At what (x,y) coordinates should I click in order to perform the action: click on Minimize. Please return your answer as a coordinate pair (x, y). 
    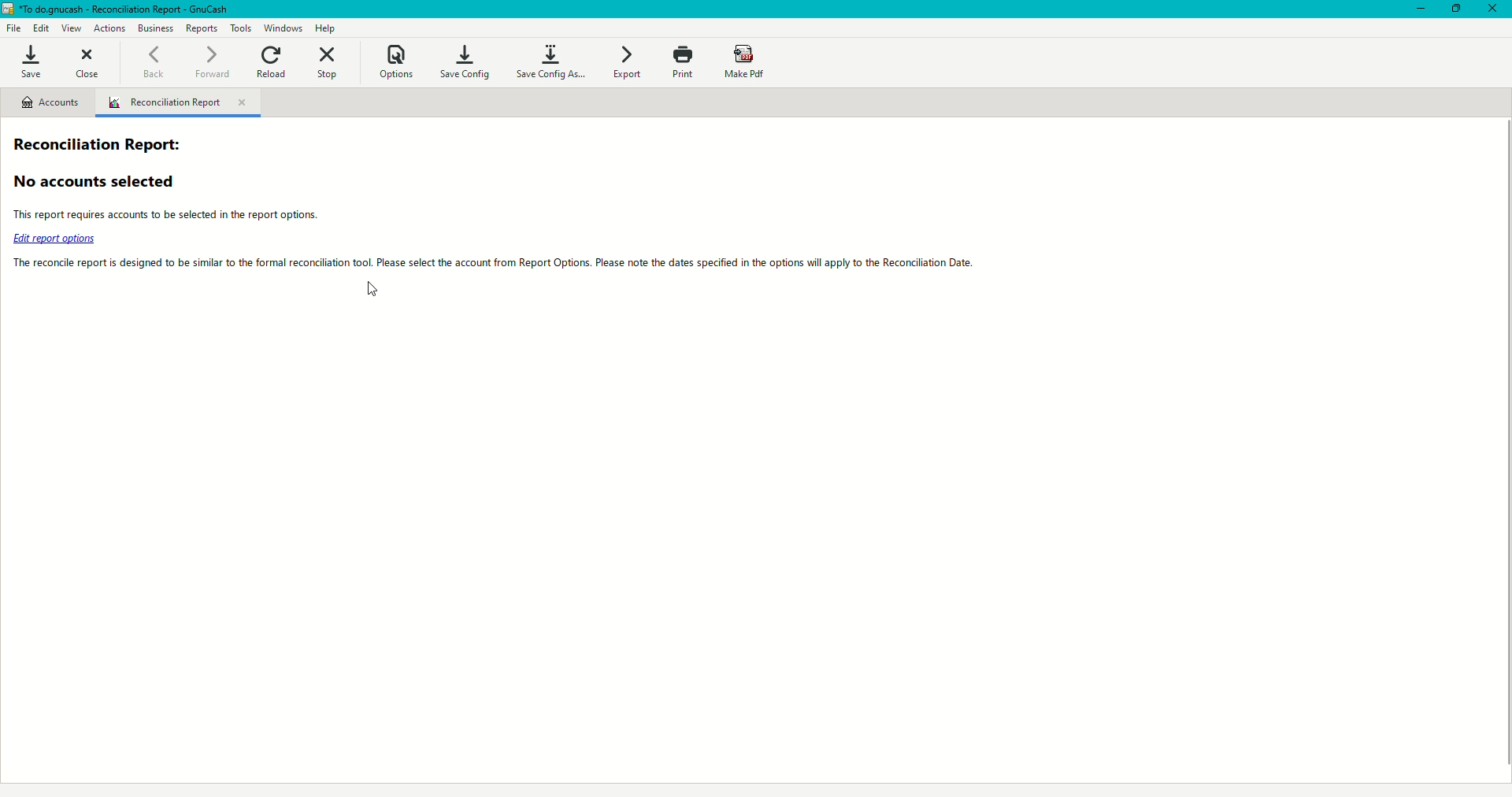
    Looking at the image, I should click on (1413, 10).